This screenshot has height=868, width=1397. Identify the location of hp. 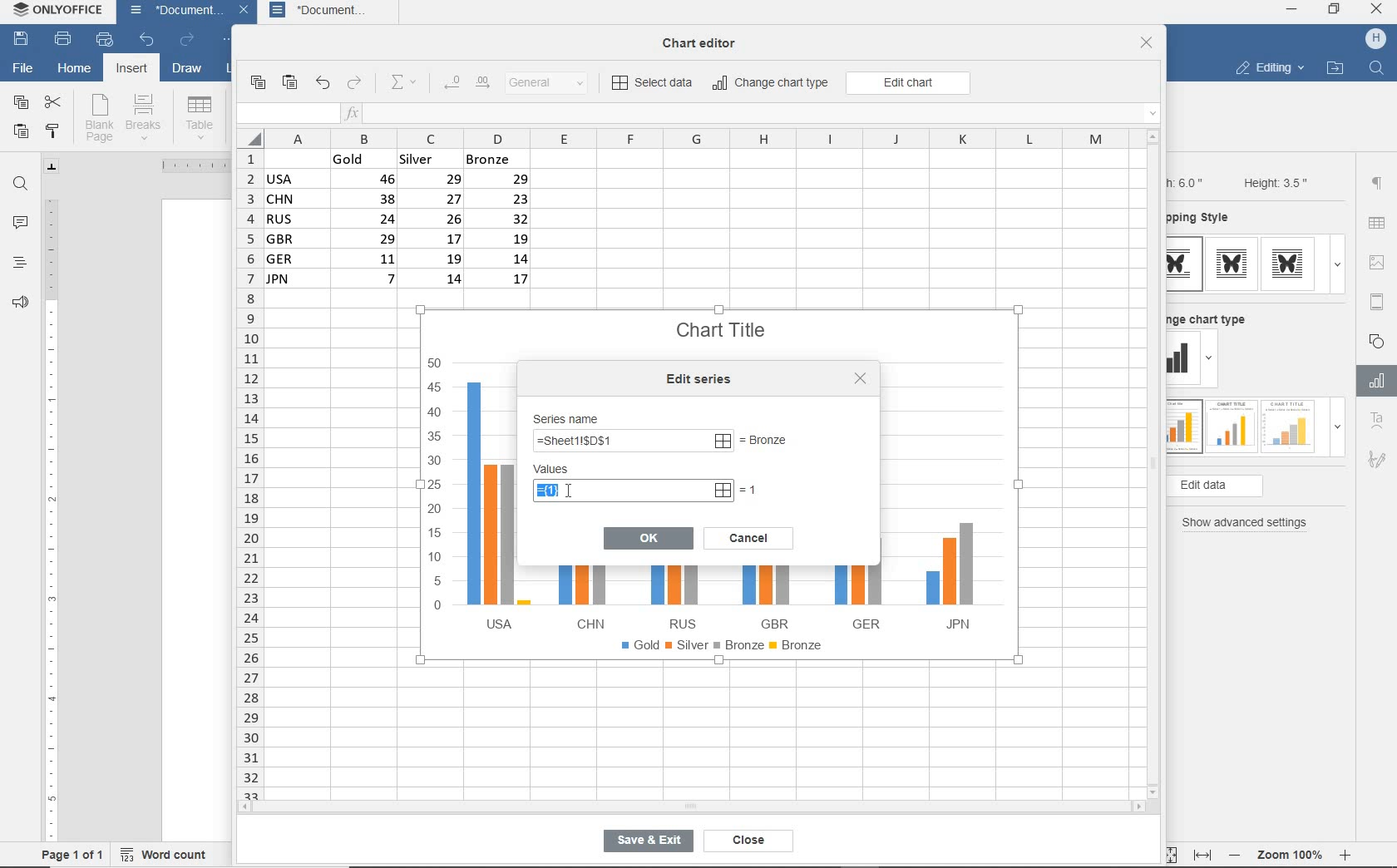
(1376, 39).